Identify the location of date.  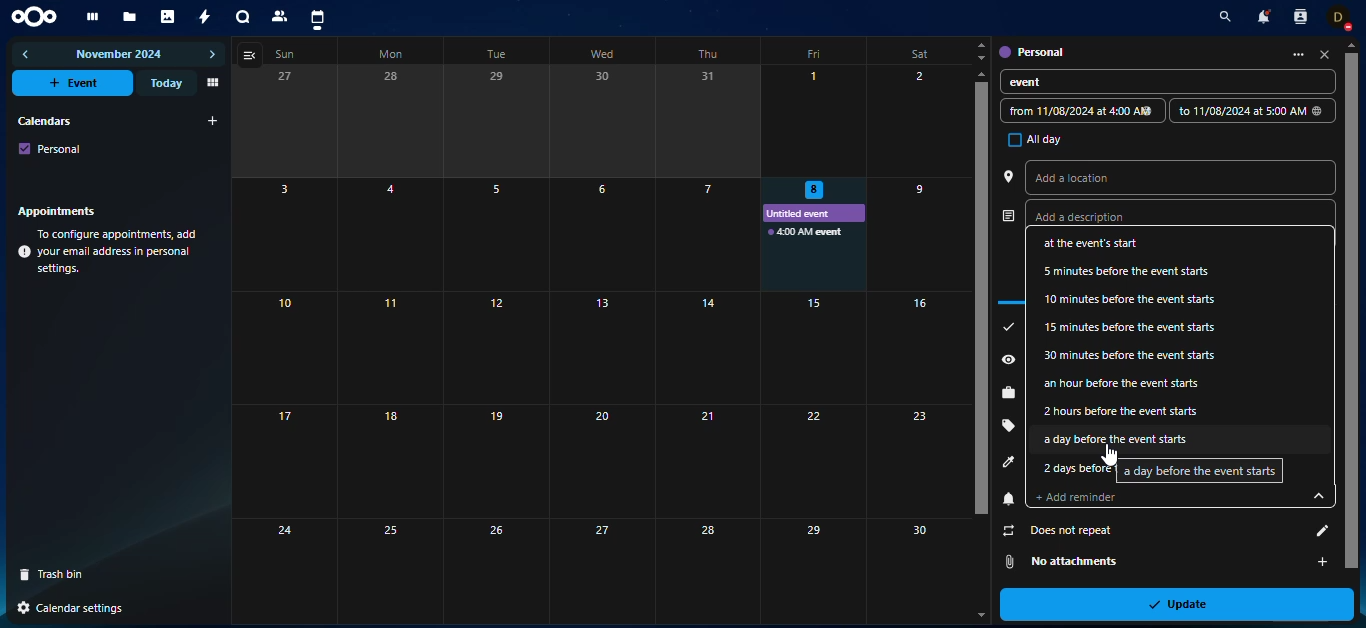
(1077, 110).